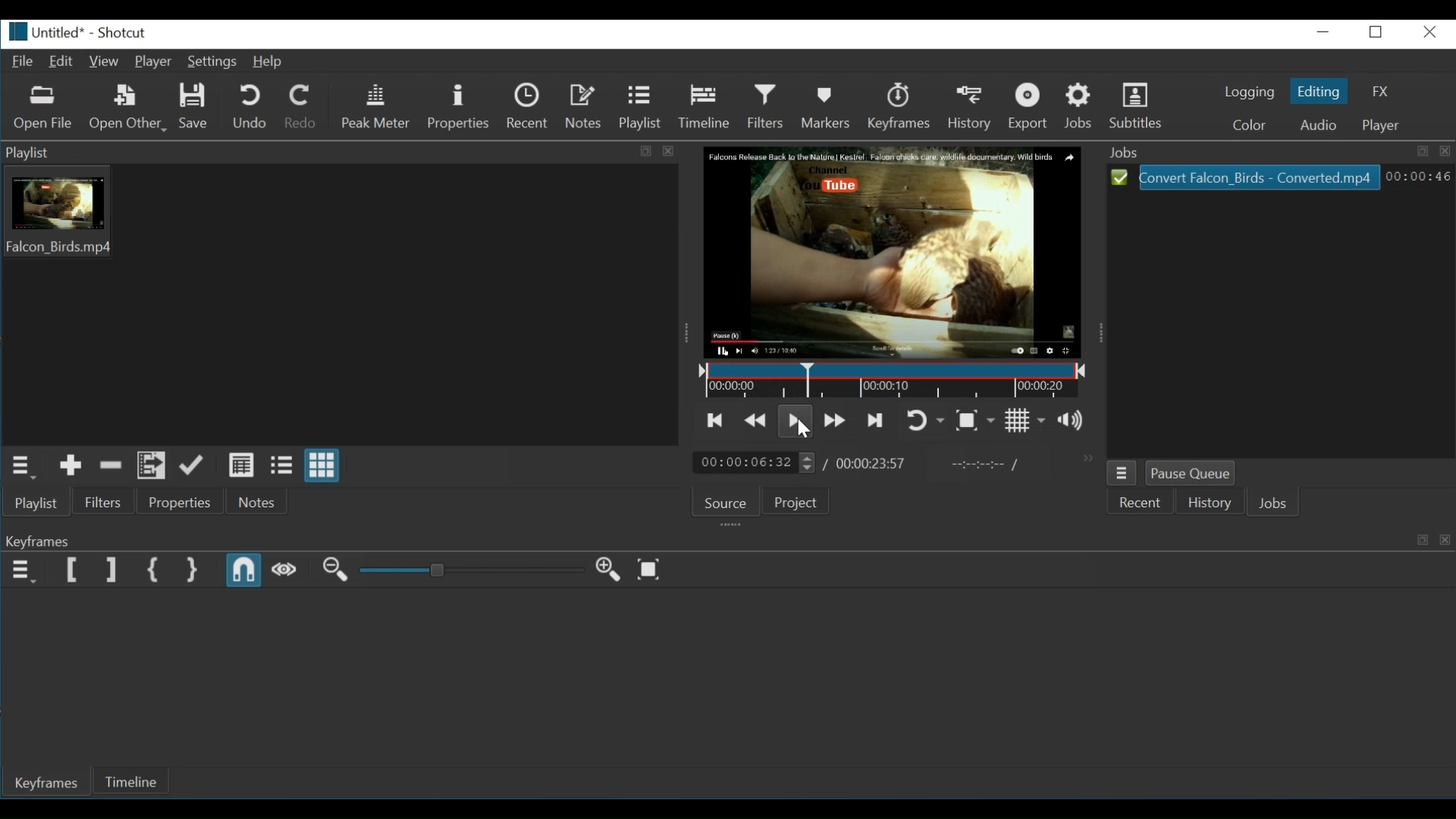  I want to click on Zoom keyframe to fit, so click(648, 569).